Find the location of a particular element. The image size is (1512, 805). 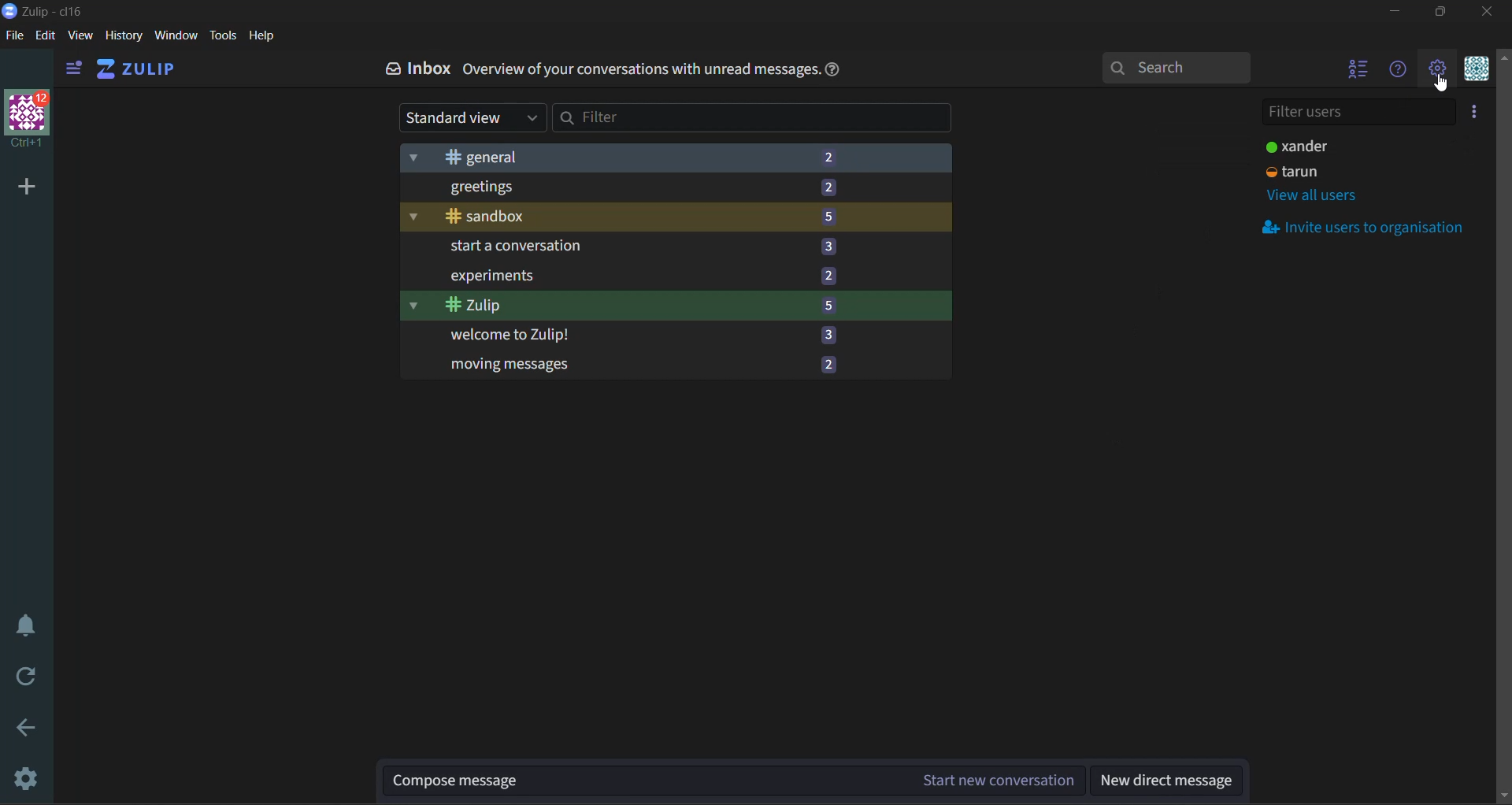

help menu is located at coordinates (1403, 76).